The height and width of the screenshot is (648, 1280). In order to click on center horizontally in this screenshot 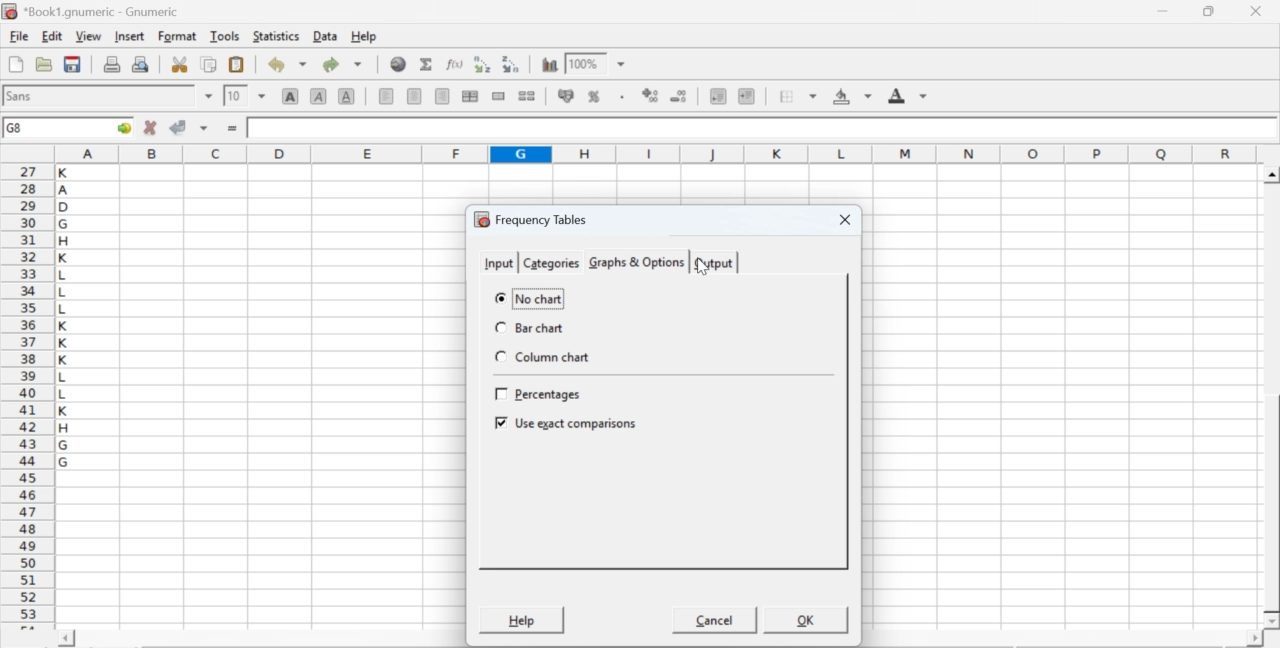, I will do `click(470, 96)`.